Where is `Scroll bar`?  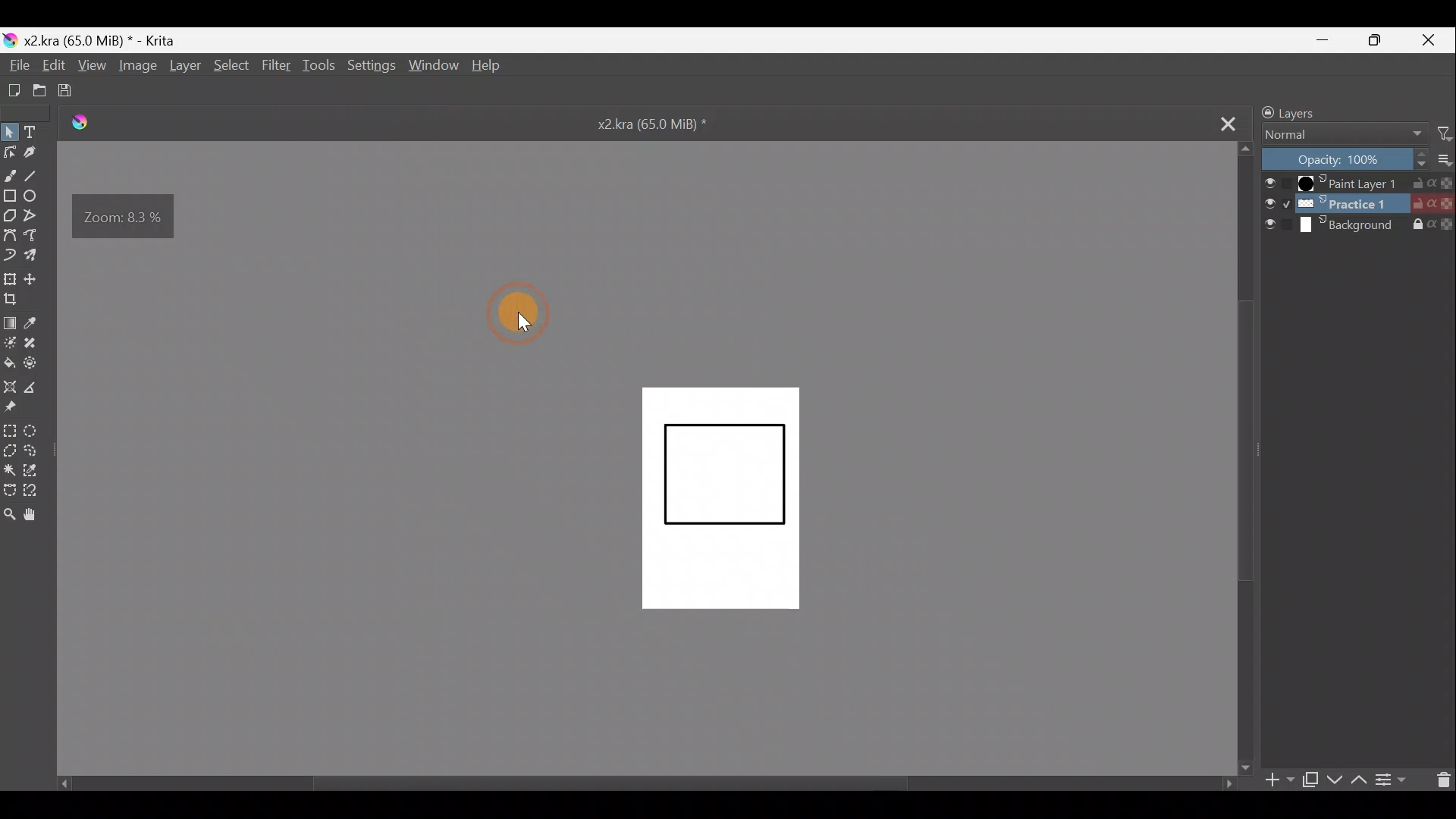
Scroll bar is located at coordinates (632, 783).